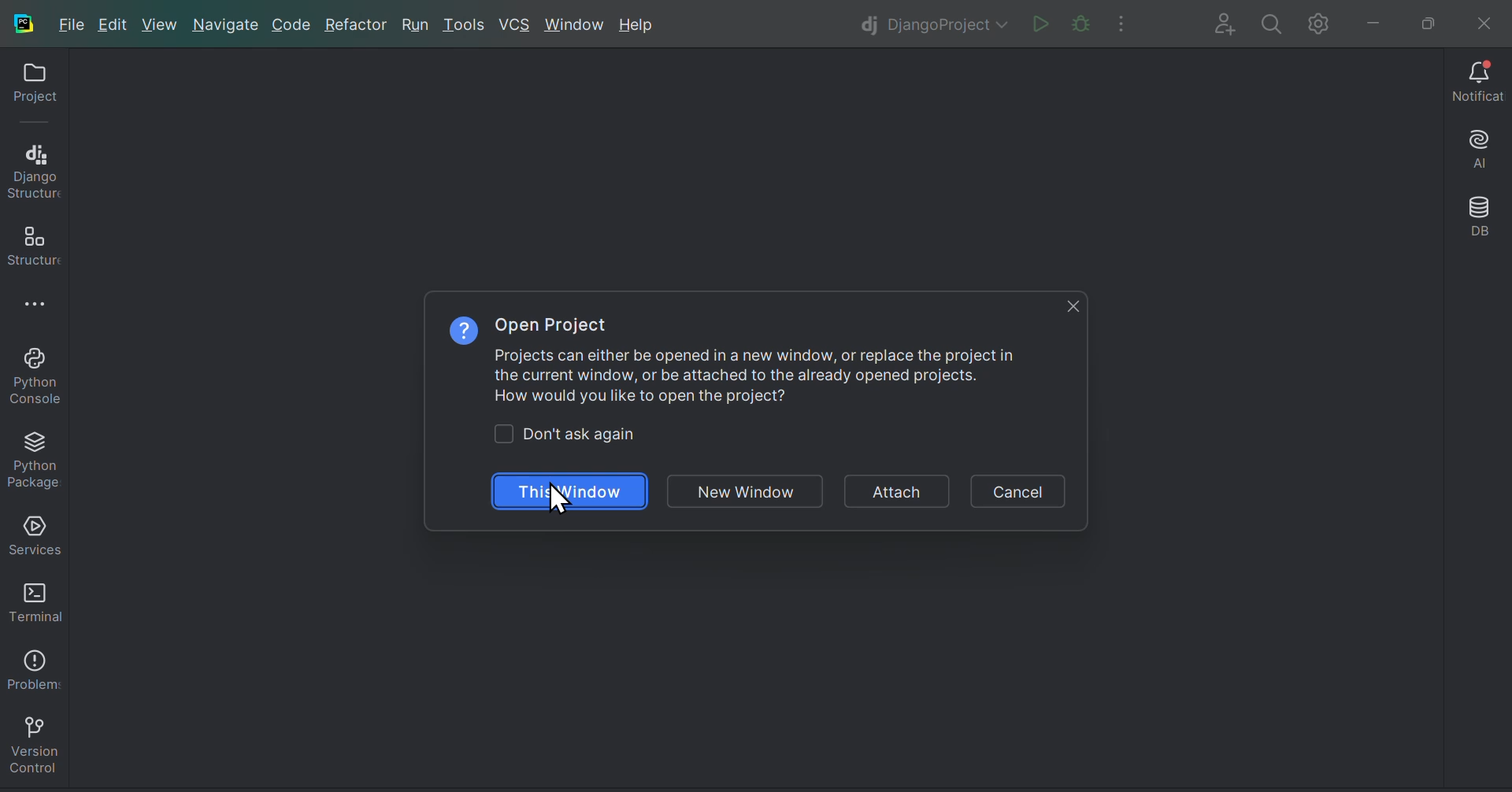 The height and width of the screenshot is (792, 1512). What do you see at coordinates (32, 241) in the screenshot?
I see `Structures` at bounding box center [32, 241].